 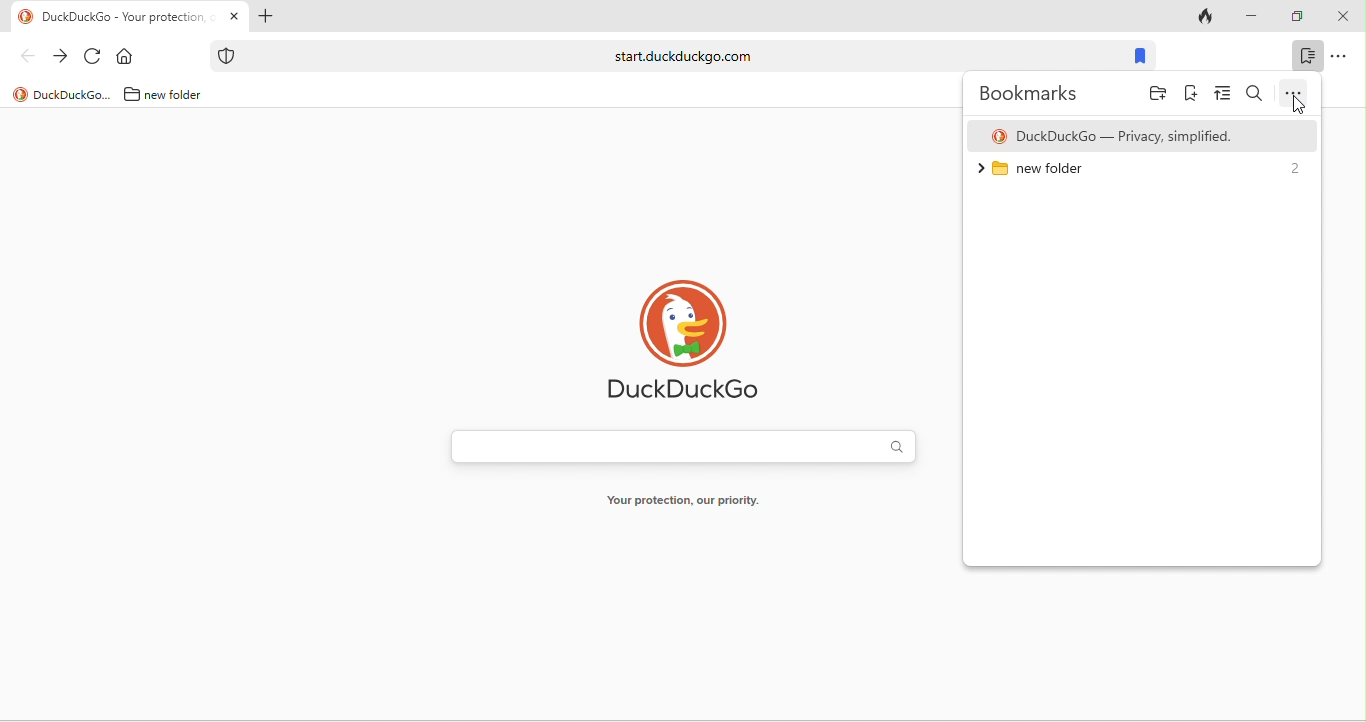 I want to click on option, so click(x=1339, y=55).